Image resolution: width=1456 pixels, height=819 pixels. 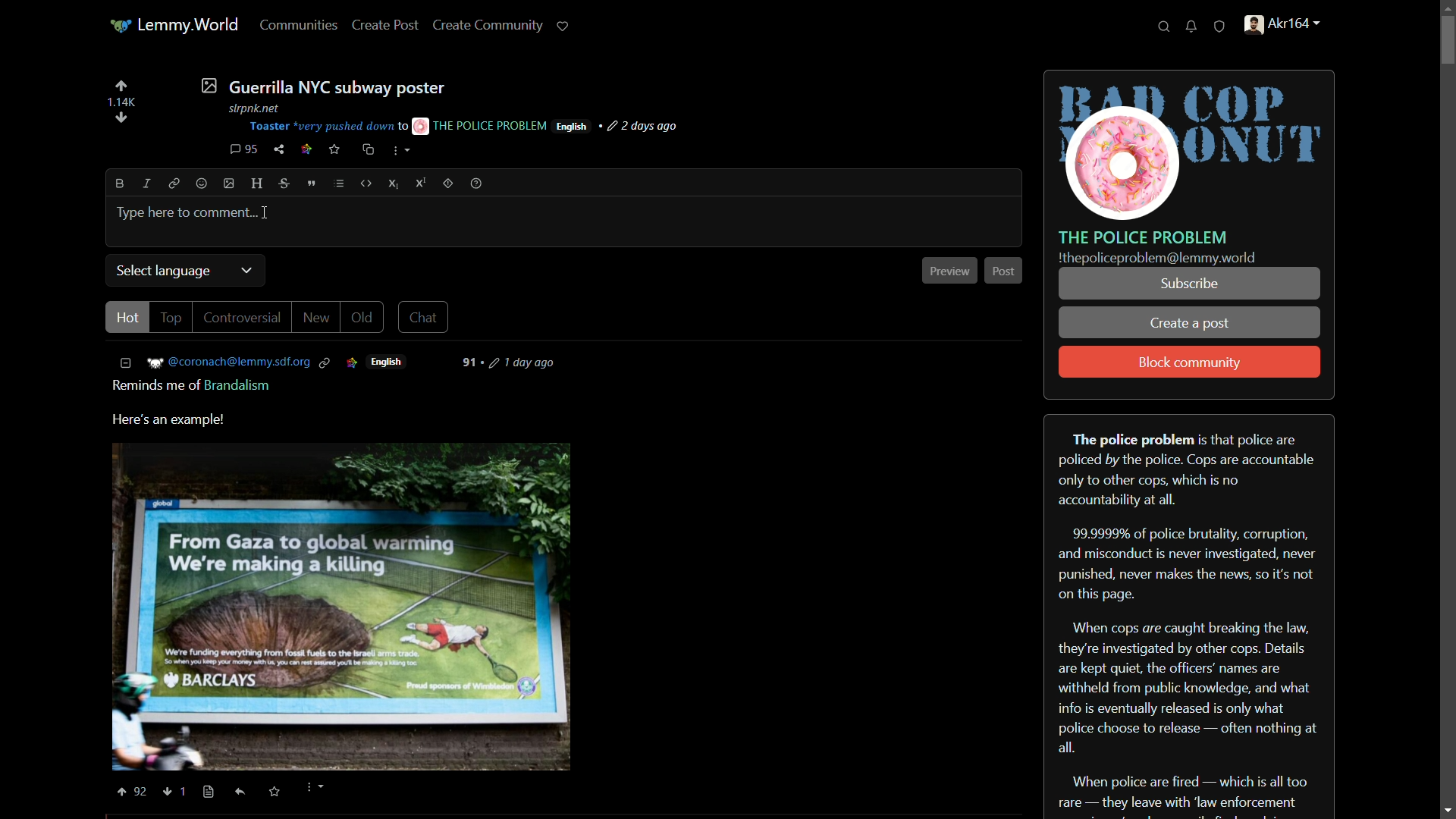 I want to click on preview, so click(x=949, y=271).